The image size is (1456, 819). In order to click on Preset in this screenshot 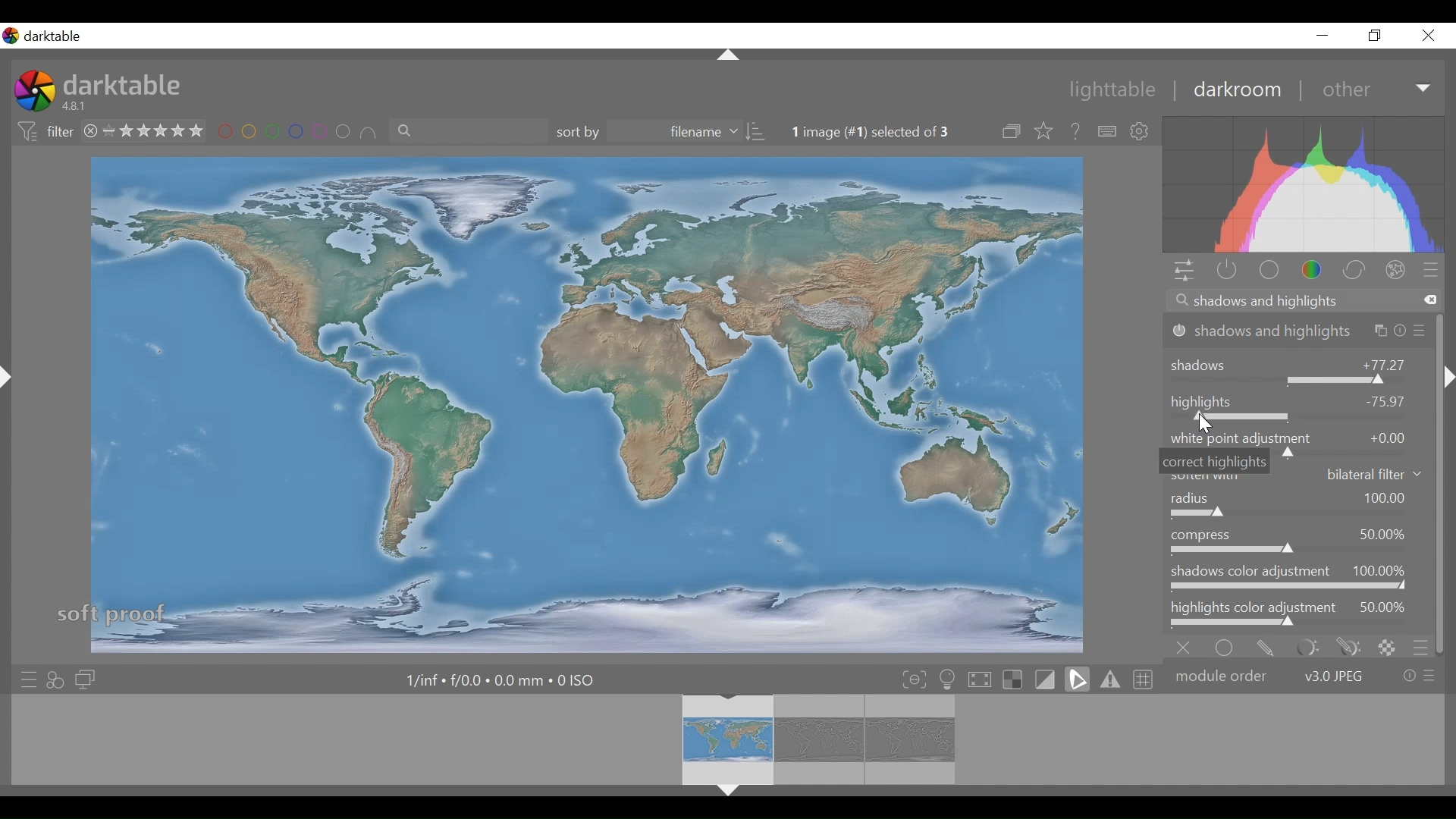, I will do `click(1436, 269)`.